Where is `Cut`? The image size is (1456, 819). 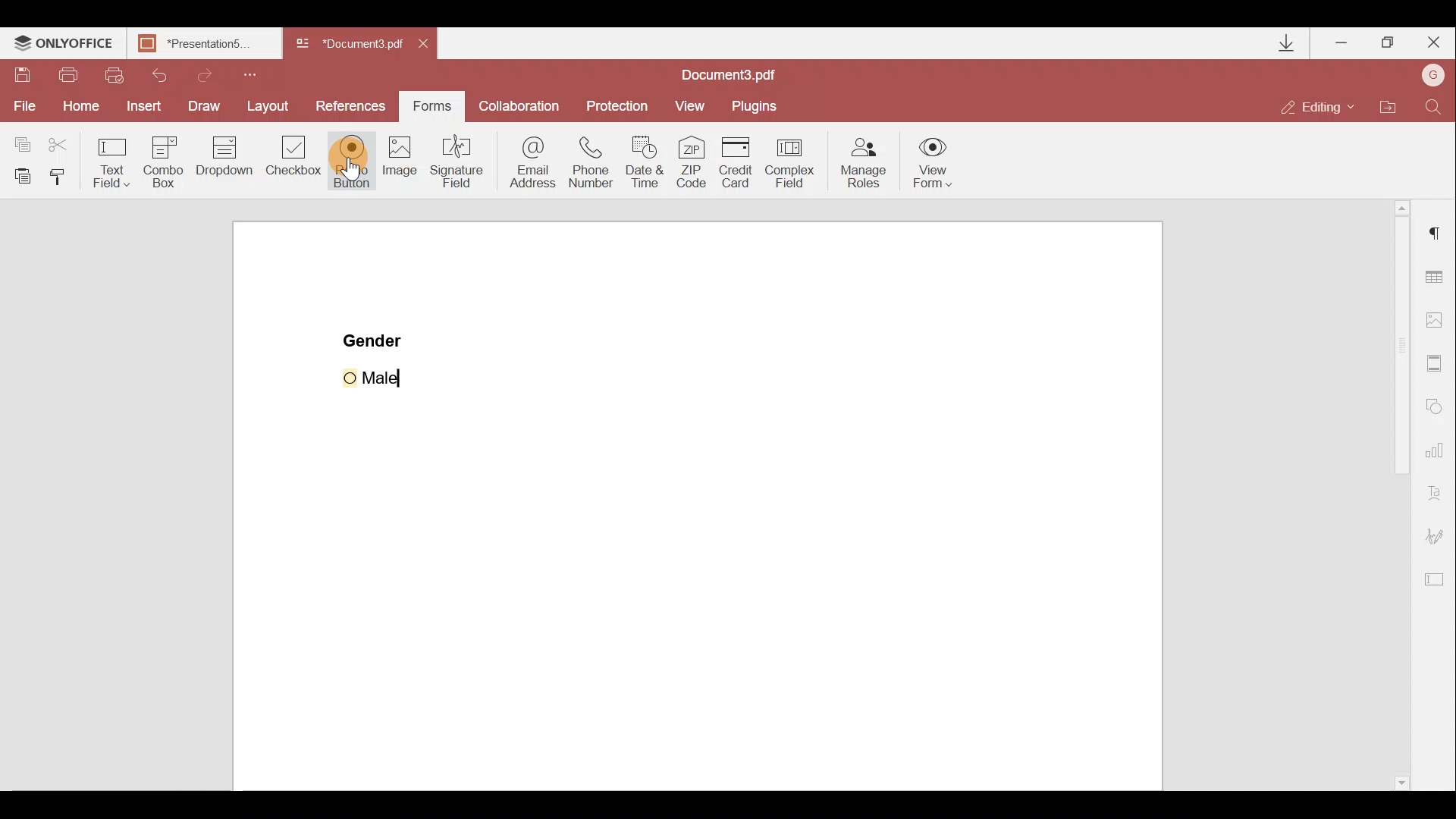
Cut is located at coordinates (58, 142).